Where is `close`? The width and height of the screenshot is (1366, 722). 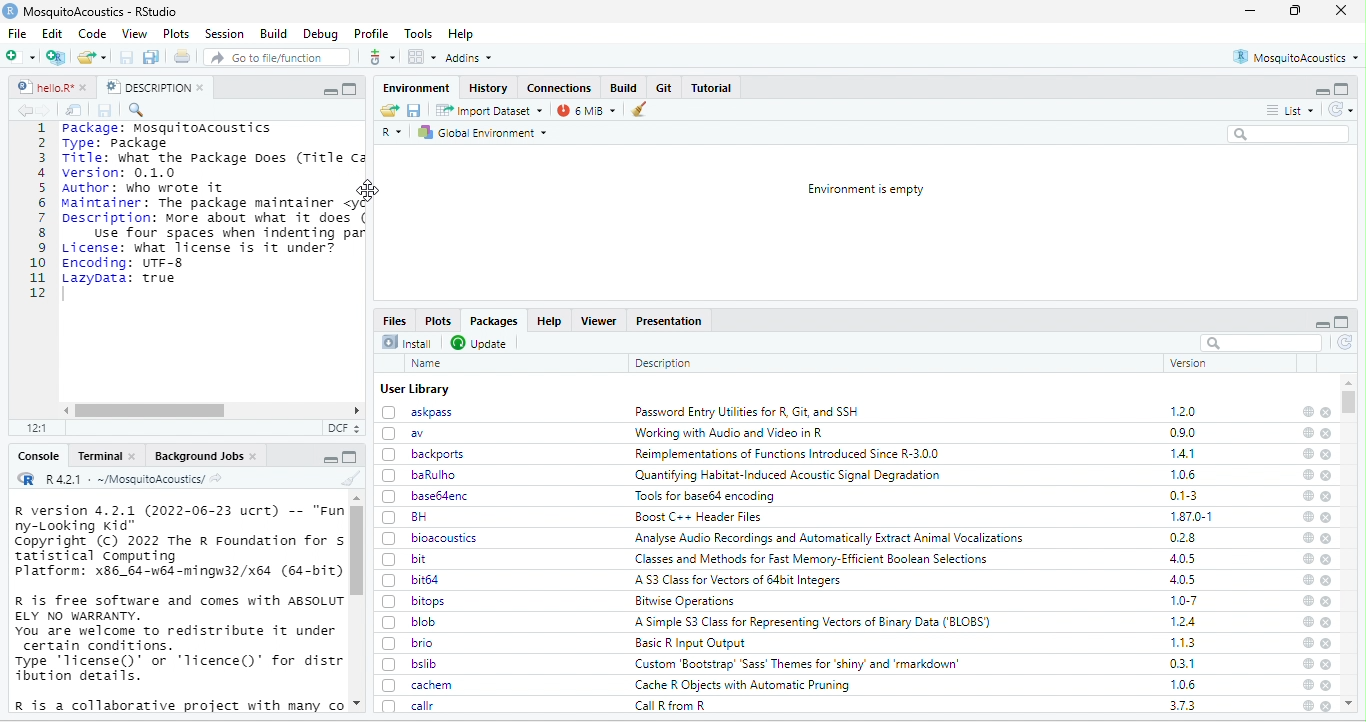
close is located at coordinates (1327, 622).